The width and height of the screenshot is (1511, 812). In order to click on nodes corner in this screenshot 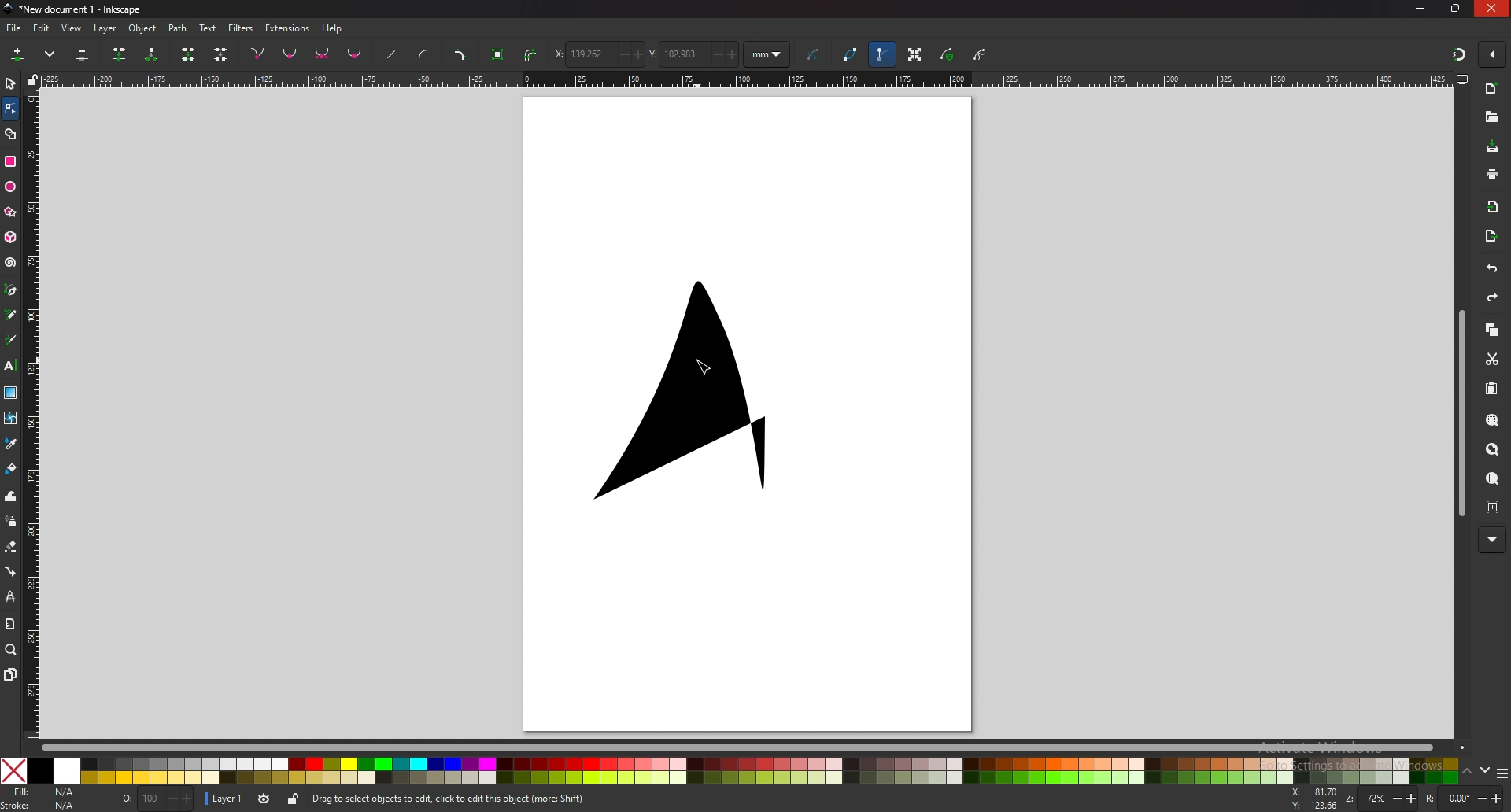, I will do `click(257, 54)`.